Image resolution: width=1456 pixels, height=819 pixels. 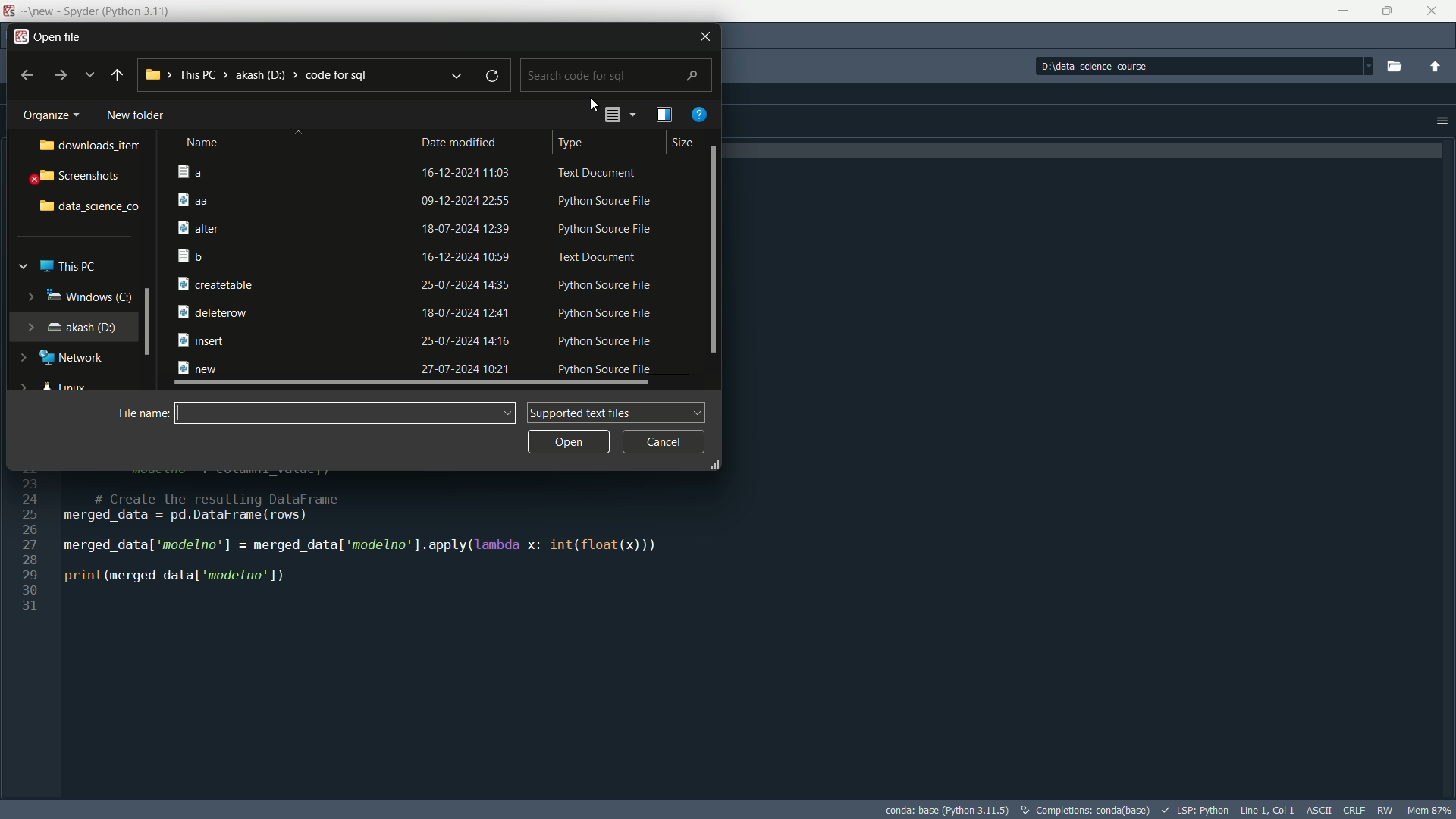 I want to click on organize, so click(x=52, y=116).